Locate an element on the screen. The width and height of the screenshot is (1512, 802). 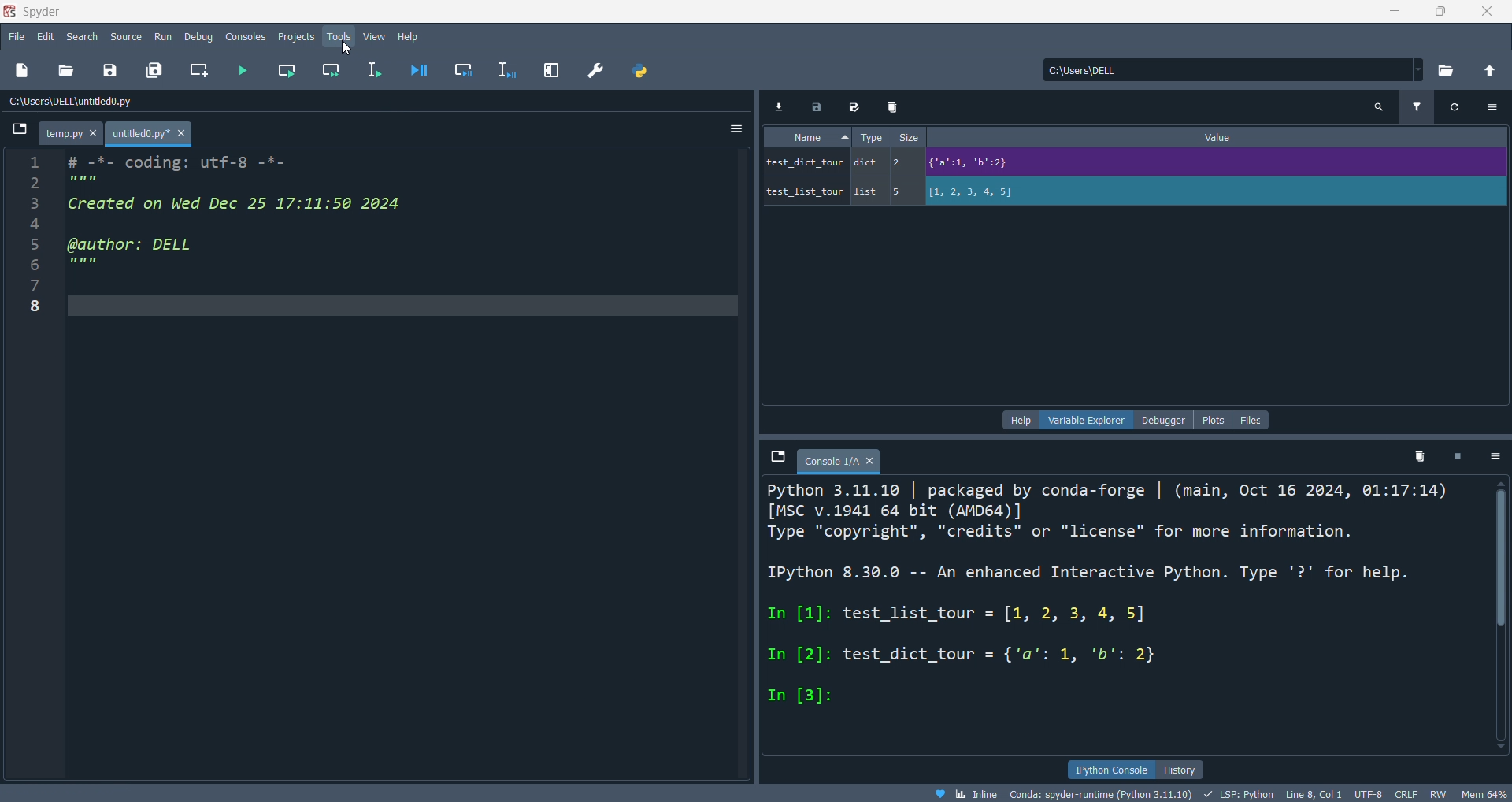
debug is located at coordinates (199, 36).